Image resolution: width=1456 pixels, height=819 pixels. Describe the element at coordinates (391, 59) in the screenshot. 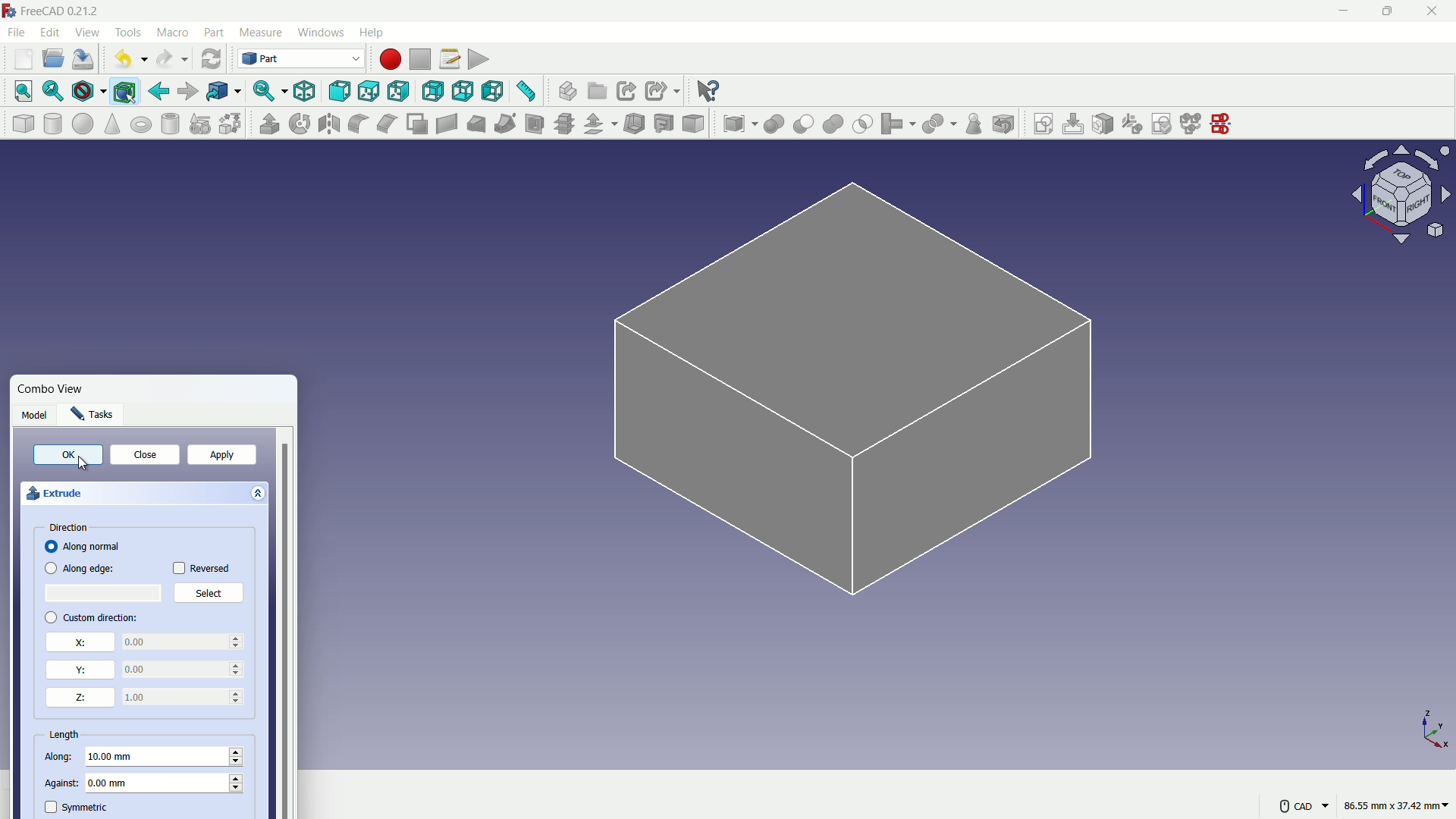

I see `start macros` at that location.